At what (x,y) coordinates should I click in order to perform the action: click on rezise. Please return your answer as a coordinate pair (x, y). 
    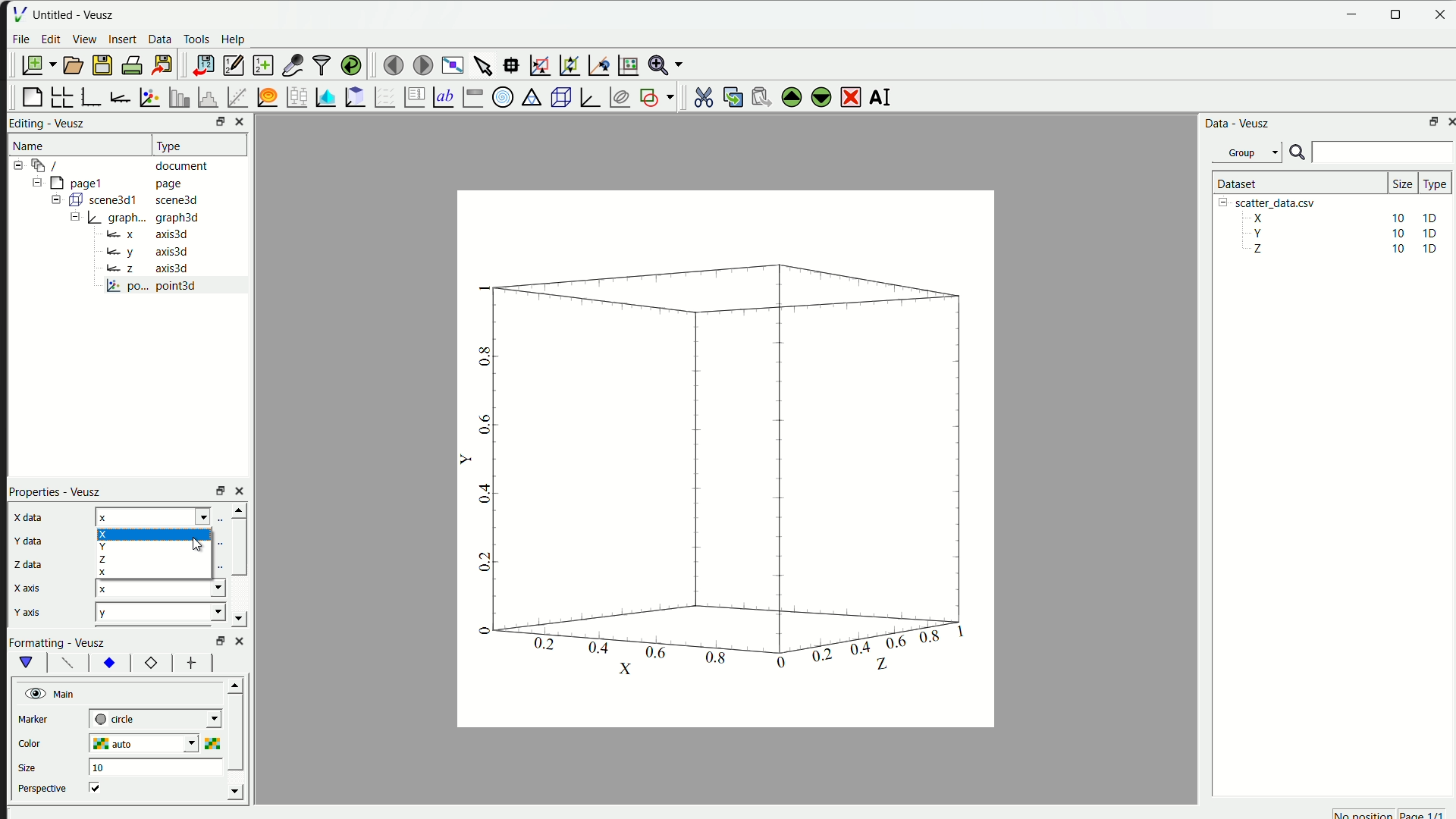
    Looking at the image, I should click on (218, 490).